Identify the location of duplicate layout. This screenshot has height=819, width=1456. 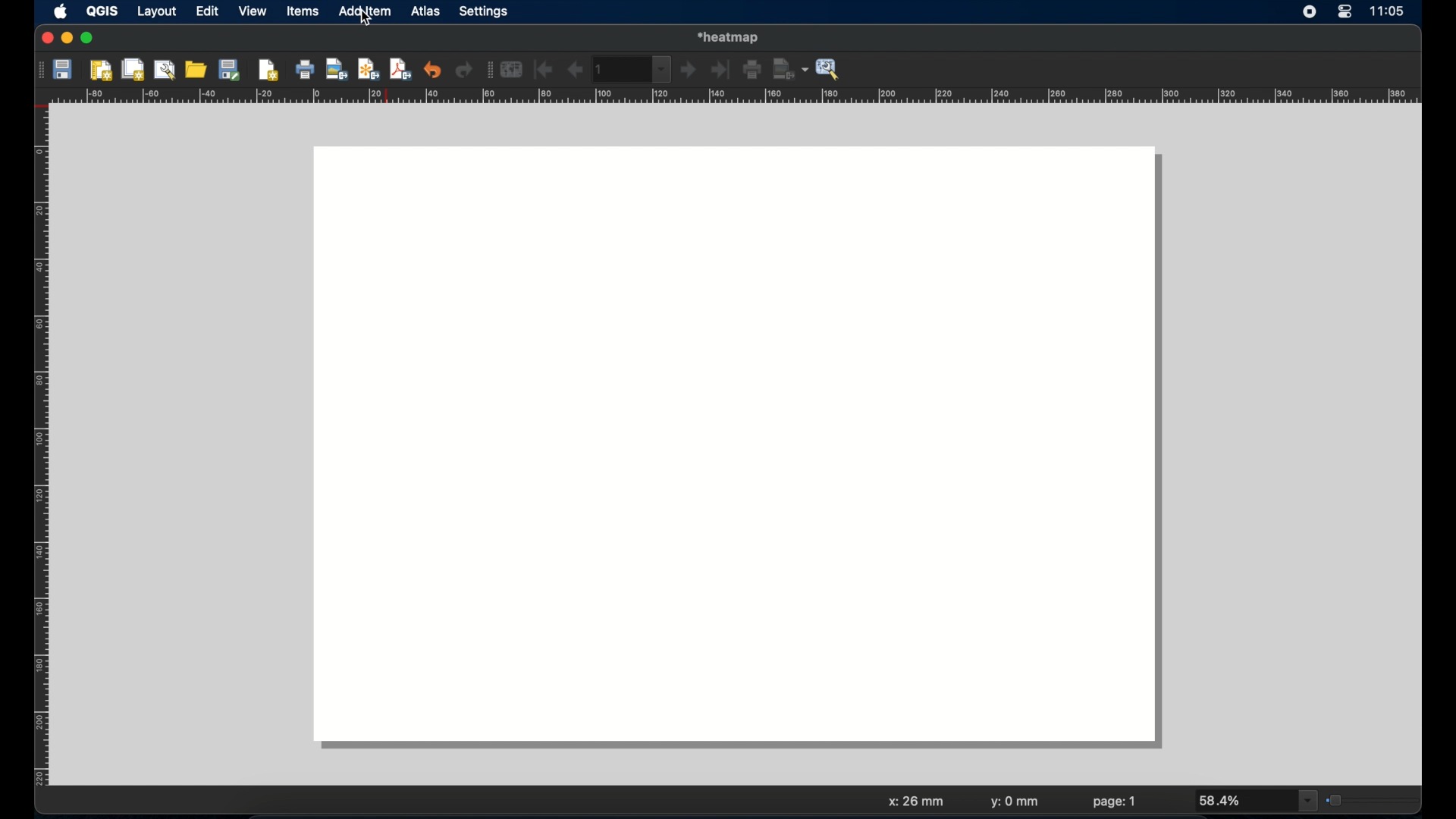
(134, 69).